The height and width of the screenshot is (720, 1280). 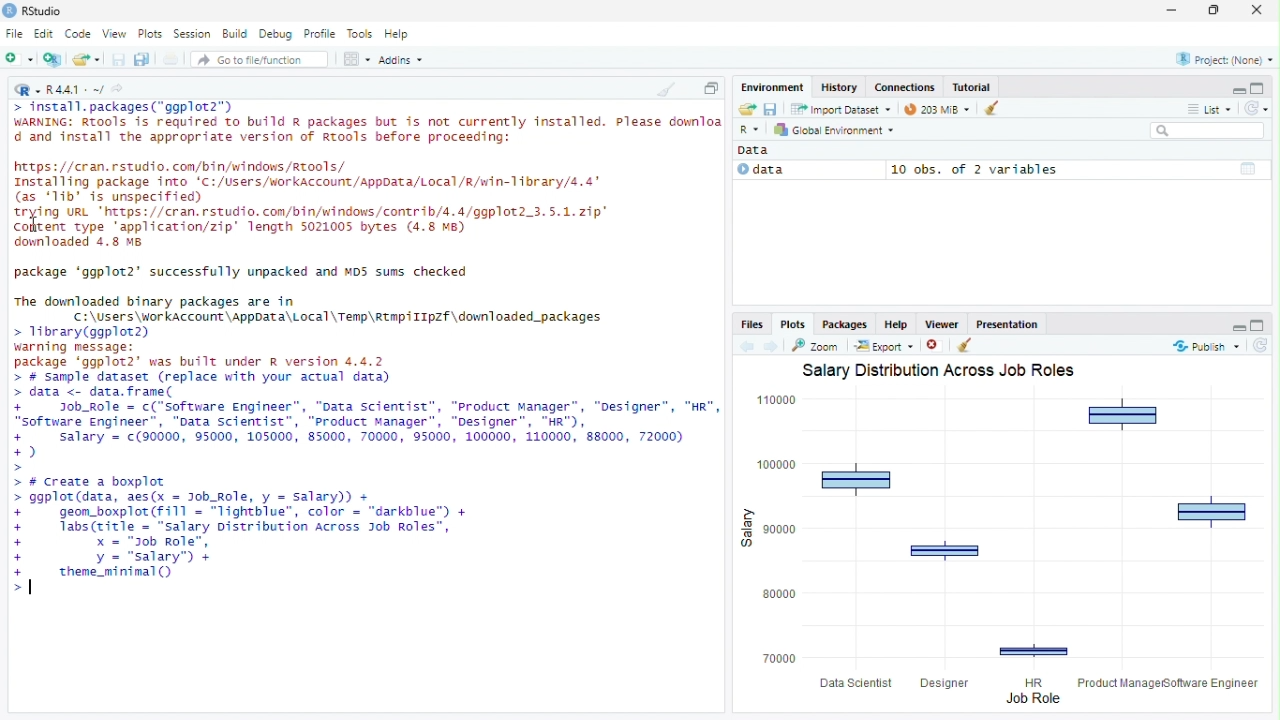 What do you see at coordinates (278, 34) in the screenshot?
I see `Debug` at bounding box center [278, 34].